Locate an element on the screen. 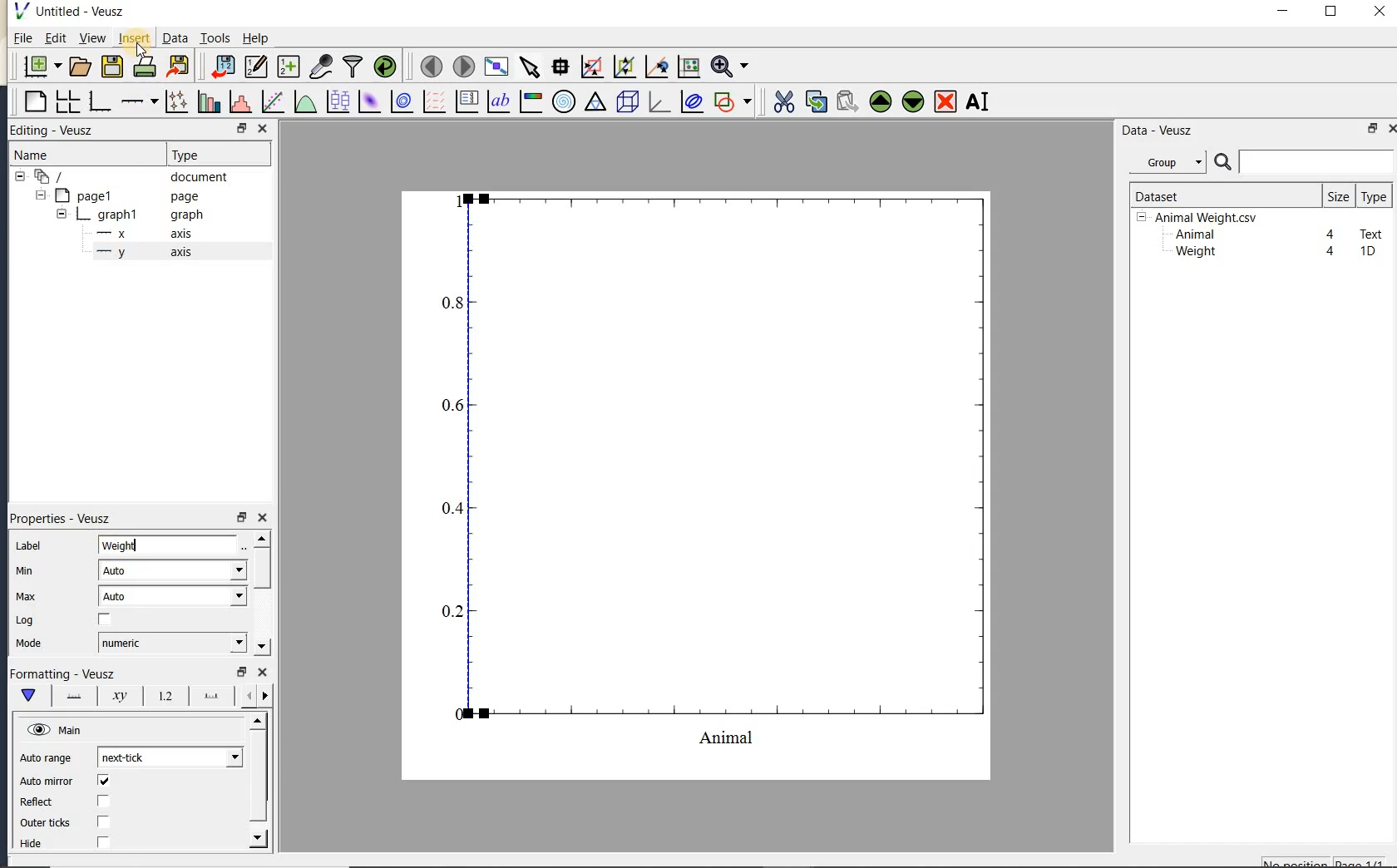 Image resolution: width=1397 pixels, height=868 pixels. Data-Veusz is located at coordinates (1158, 131).